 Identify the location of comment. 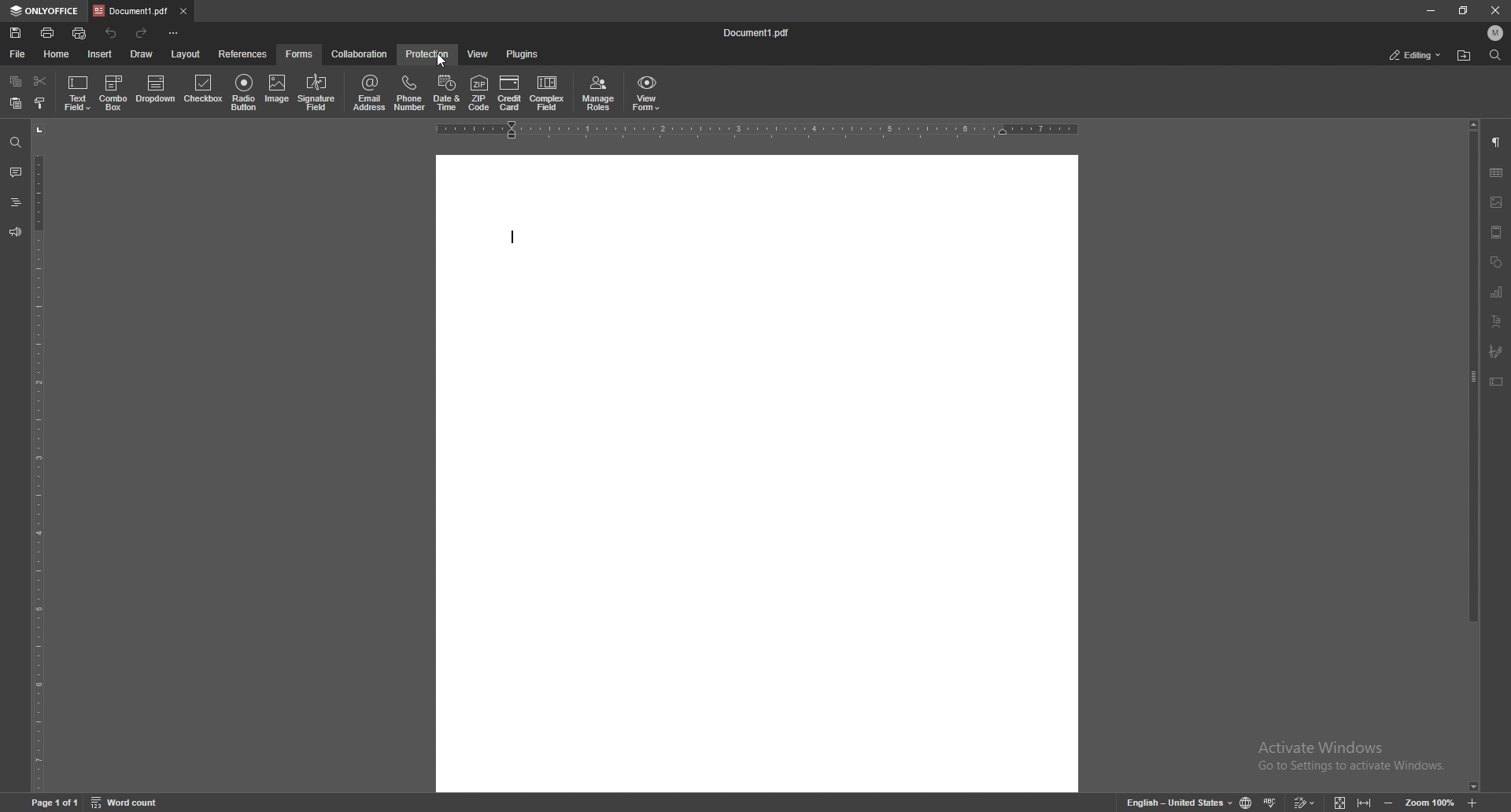
(16, 172).